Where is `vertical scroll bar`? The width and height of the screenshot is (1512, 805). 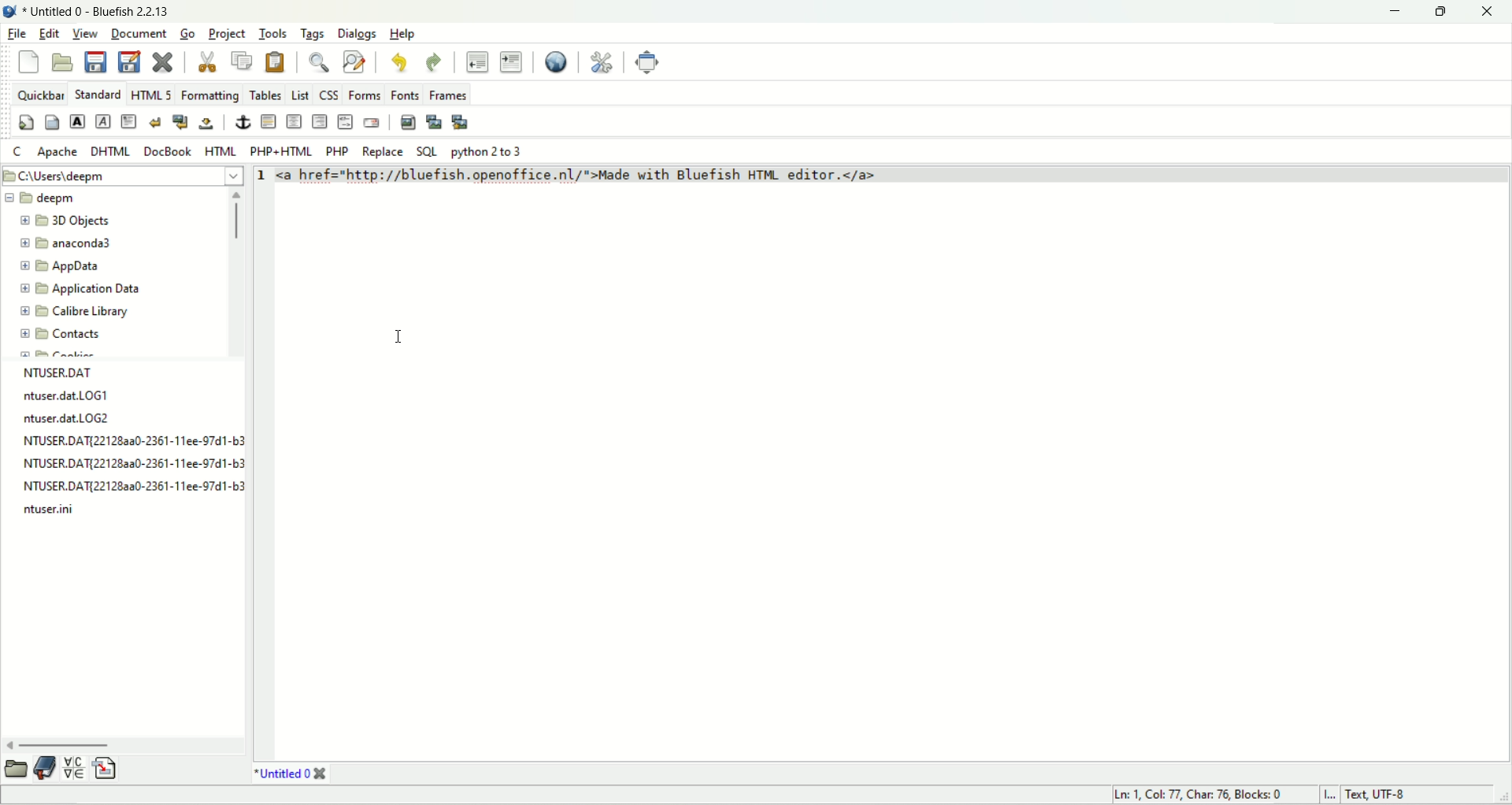 vertical scroll bar is located at coordinates (236, 273).